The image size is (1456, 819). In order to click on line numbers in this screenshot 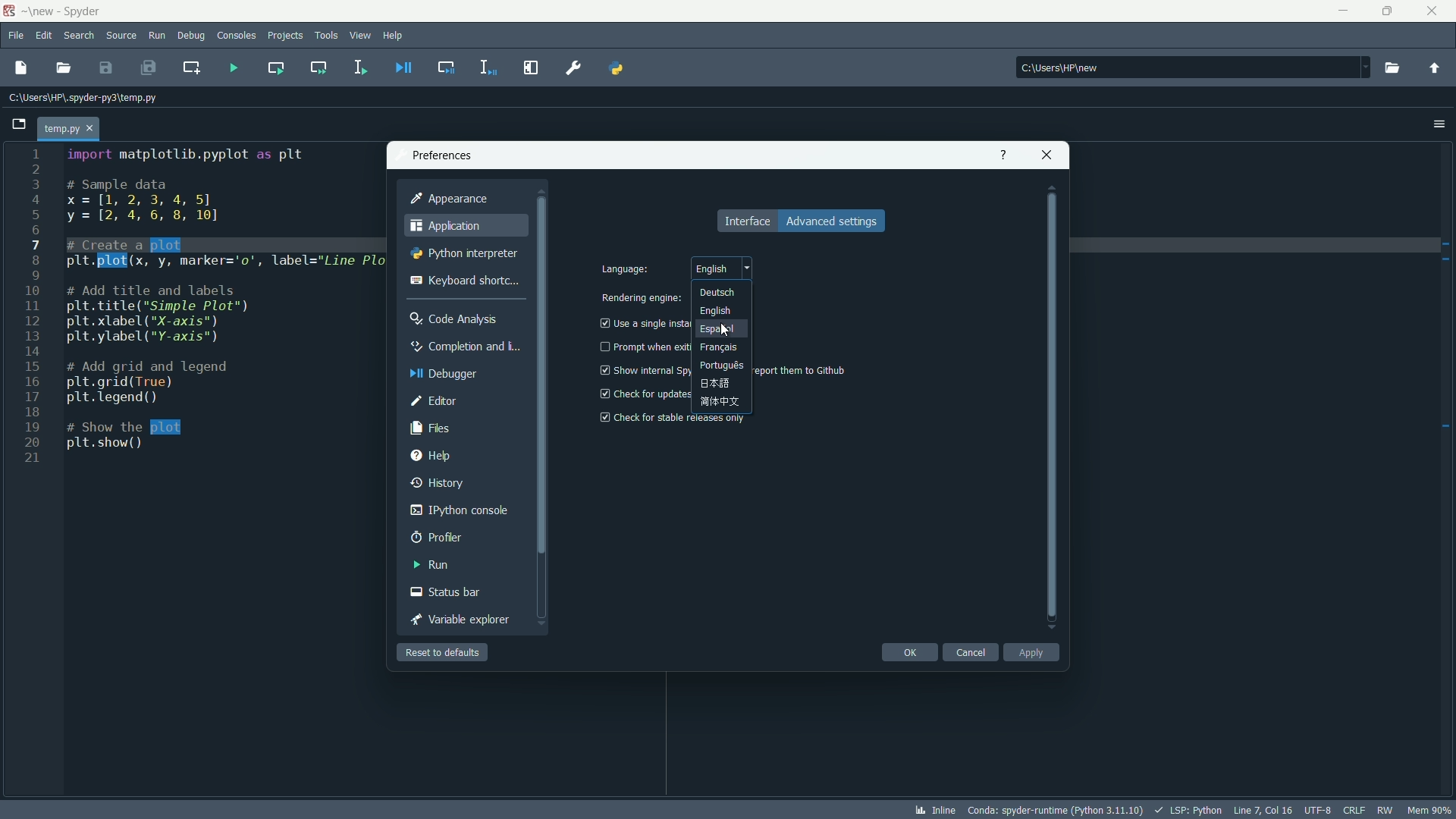, I will do `click(33, 309)`.